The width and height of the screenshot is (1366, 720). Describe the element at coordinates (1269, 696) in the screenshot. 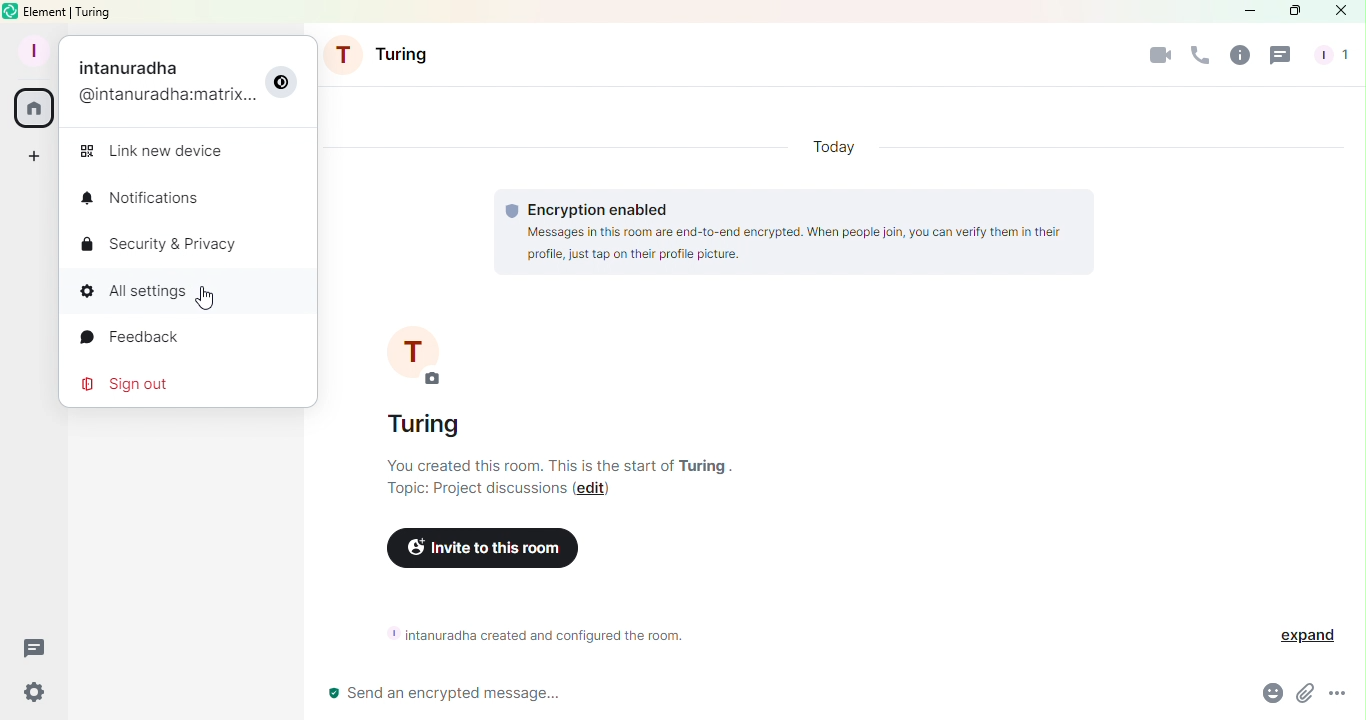

I see `Emoji` at that location.